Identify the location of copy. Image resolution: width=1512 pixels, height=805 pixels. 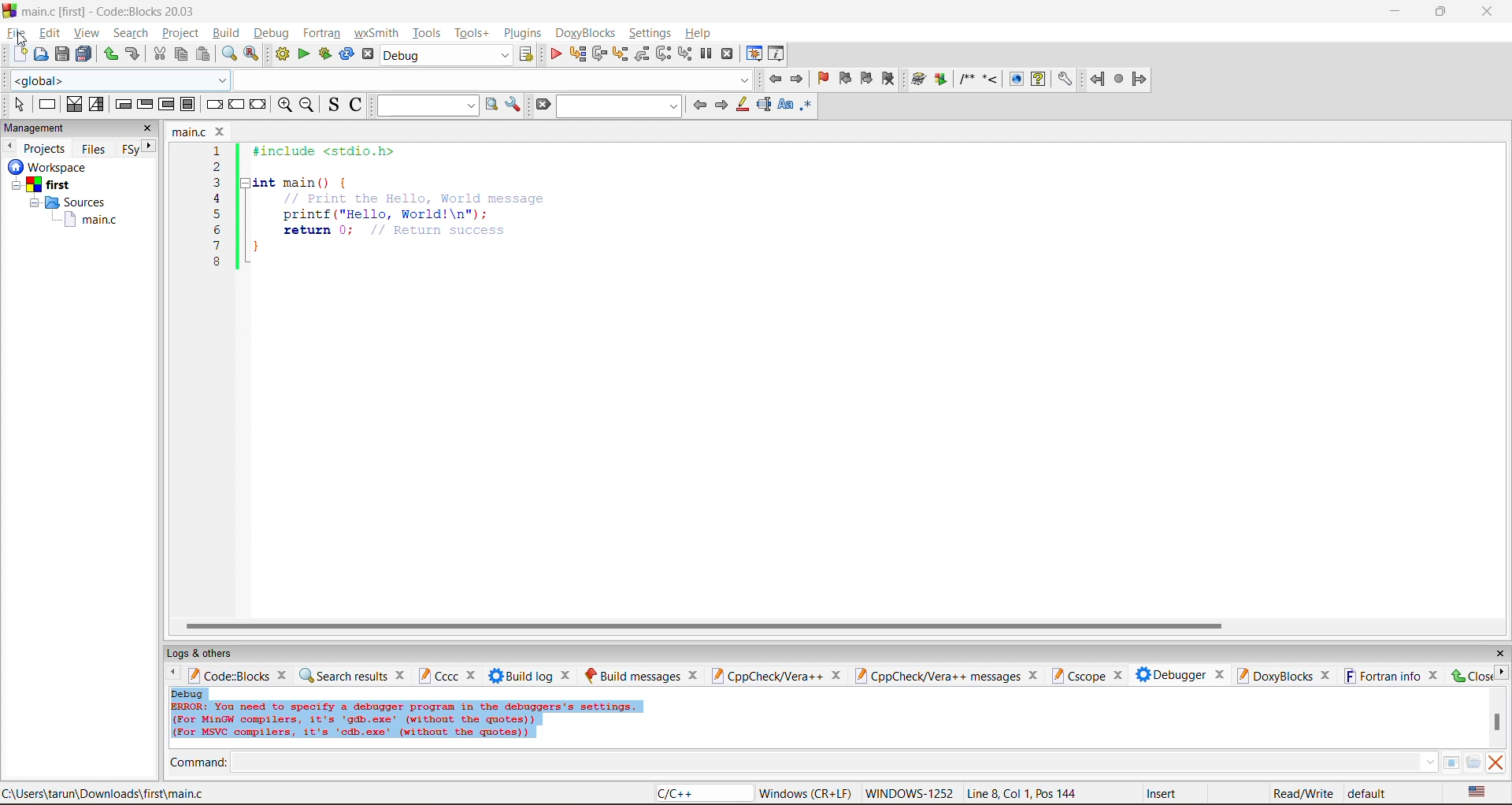
(182, 54).